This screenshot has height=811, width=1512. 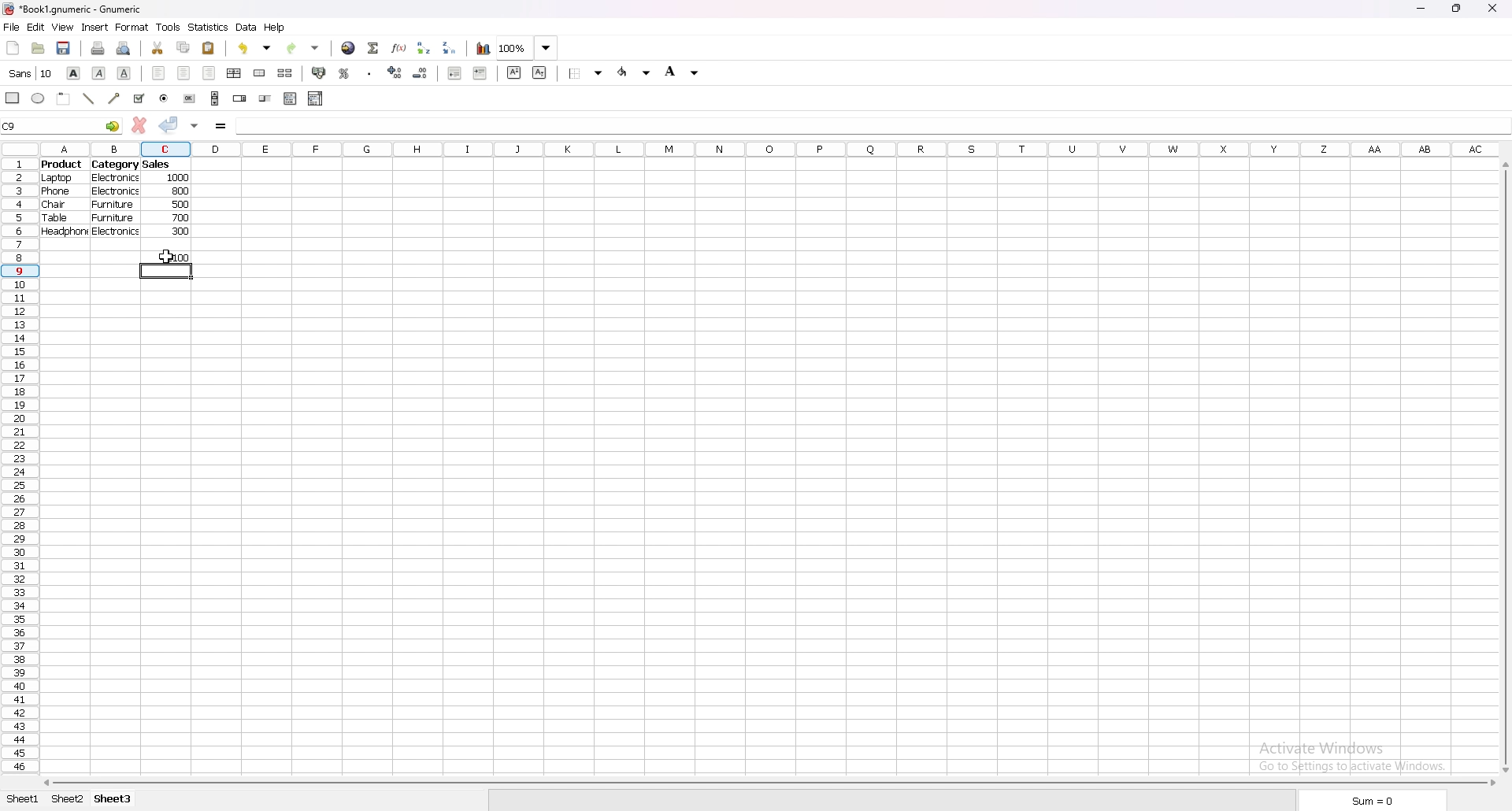 What do you see at coordinates (113, 220) in the screenshot?
I see `furniture` at bounding box center [113, 220].